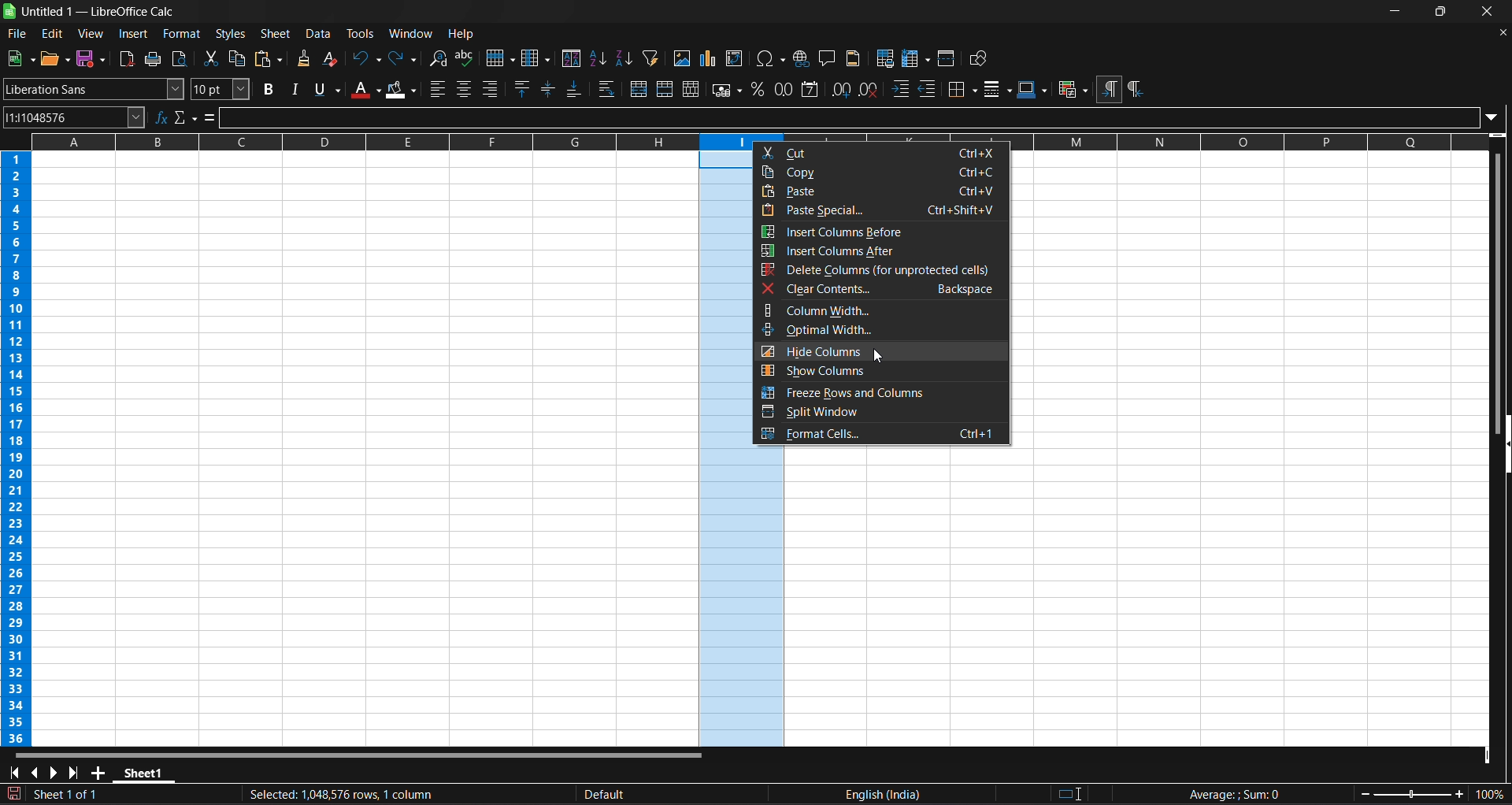 Image resolution: width=1512 pixels, height=805 pixels. I want to click on formula, so click(212, 117).